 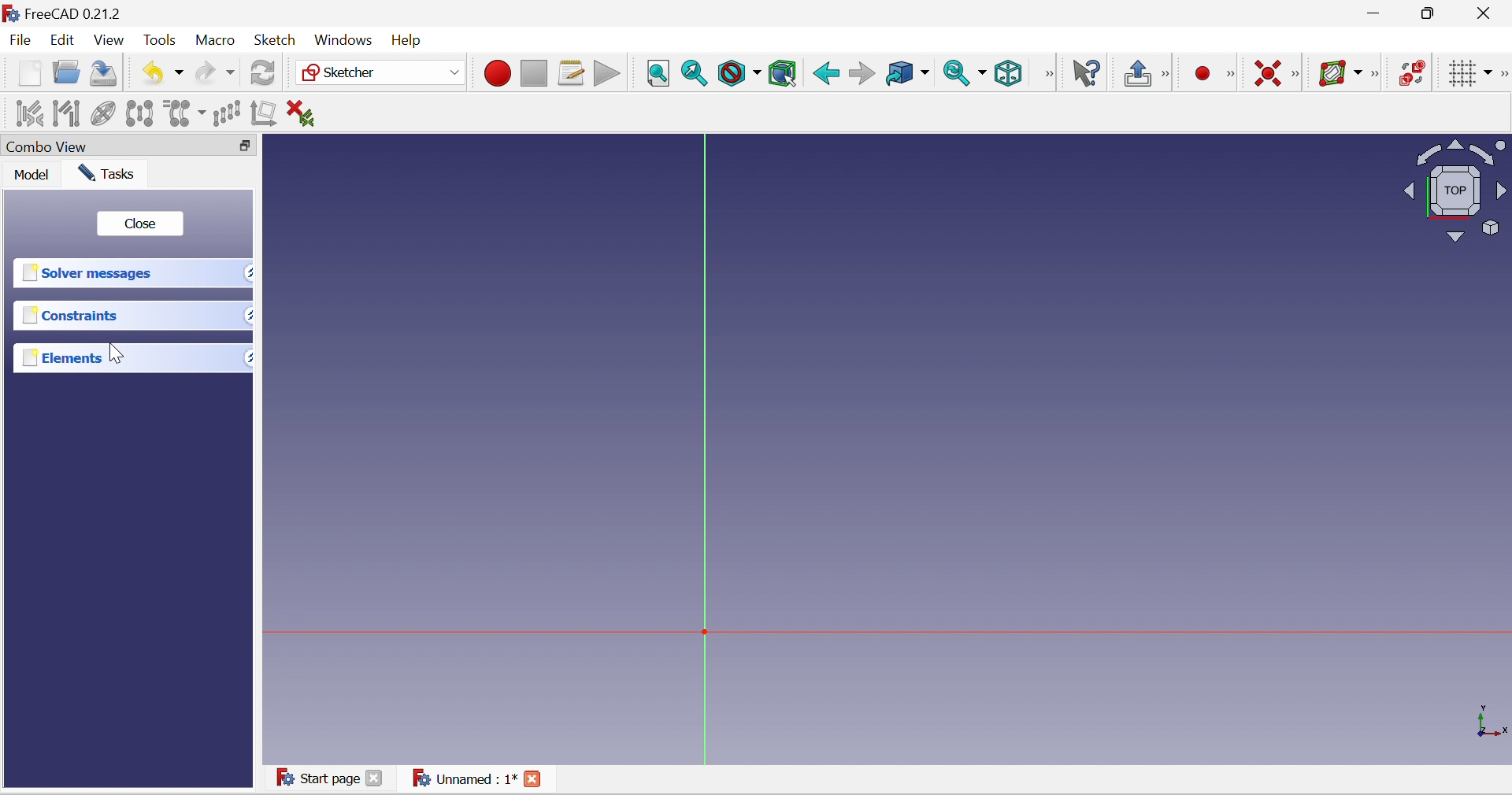 What do you see at coordinates (28, 72) in the screenshot?
I see `New` at bounding box center [28, 72].